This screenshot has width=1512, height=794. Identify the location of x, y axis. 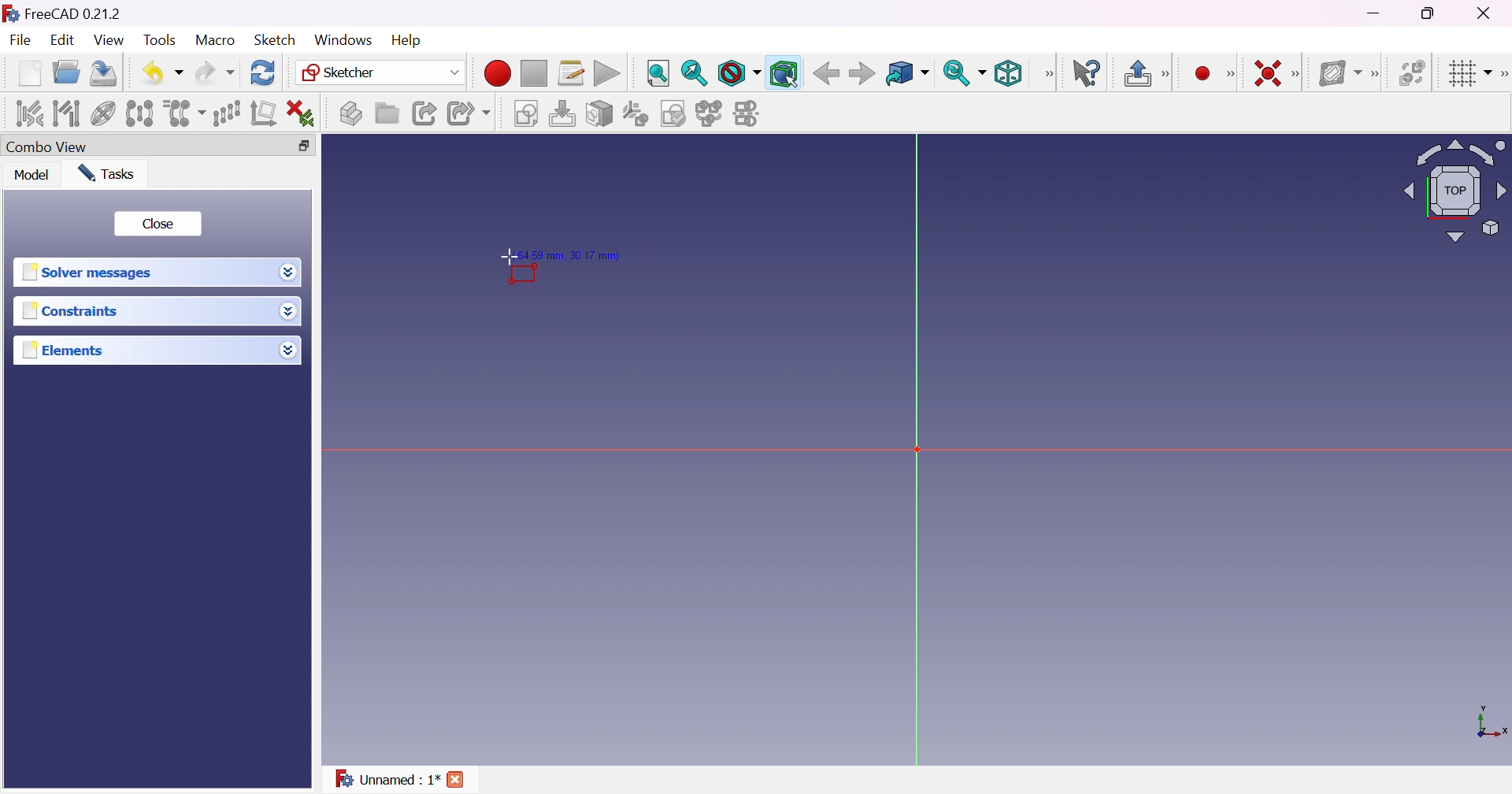
(1489, 723).